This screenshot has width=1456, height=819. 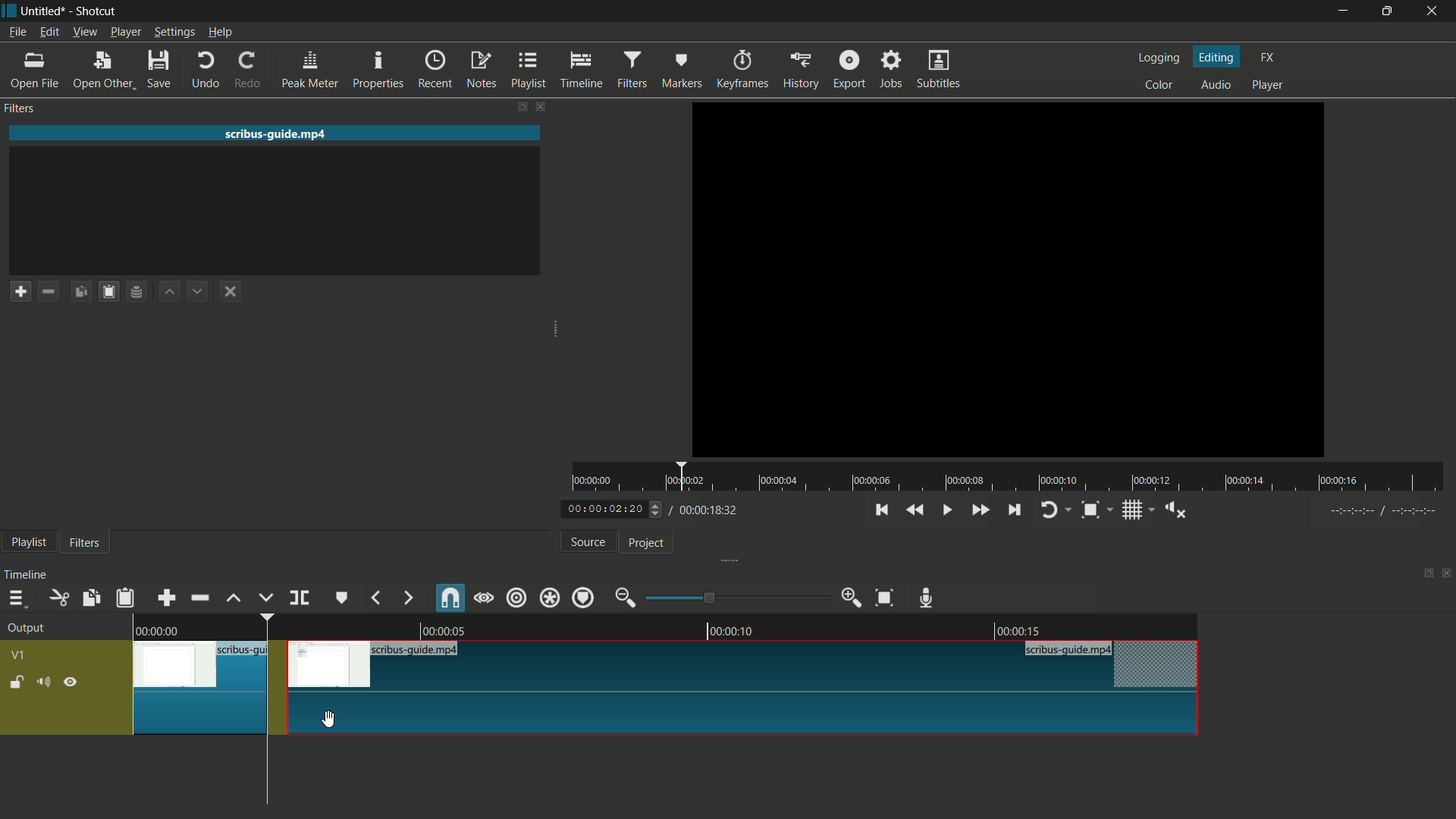 I want to click on lift, so click(x=234, y=598).